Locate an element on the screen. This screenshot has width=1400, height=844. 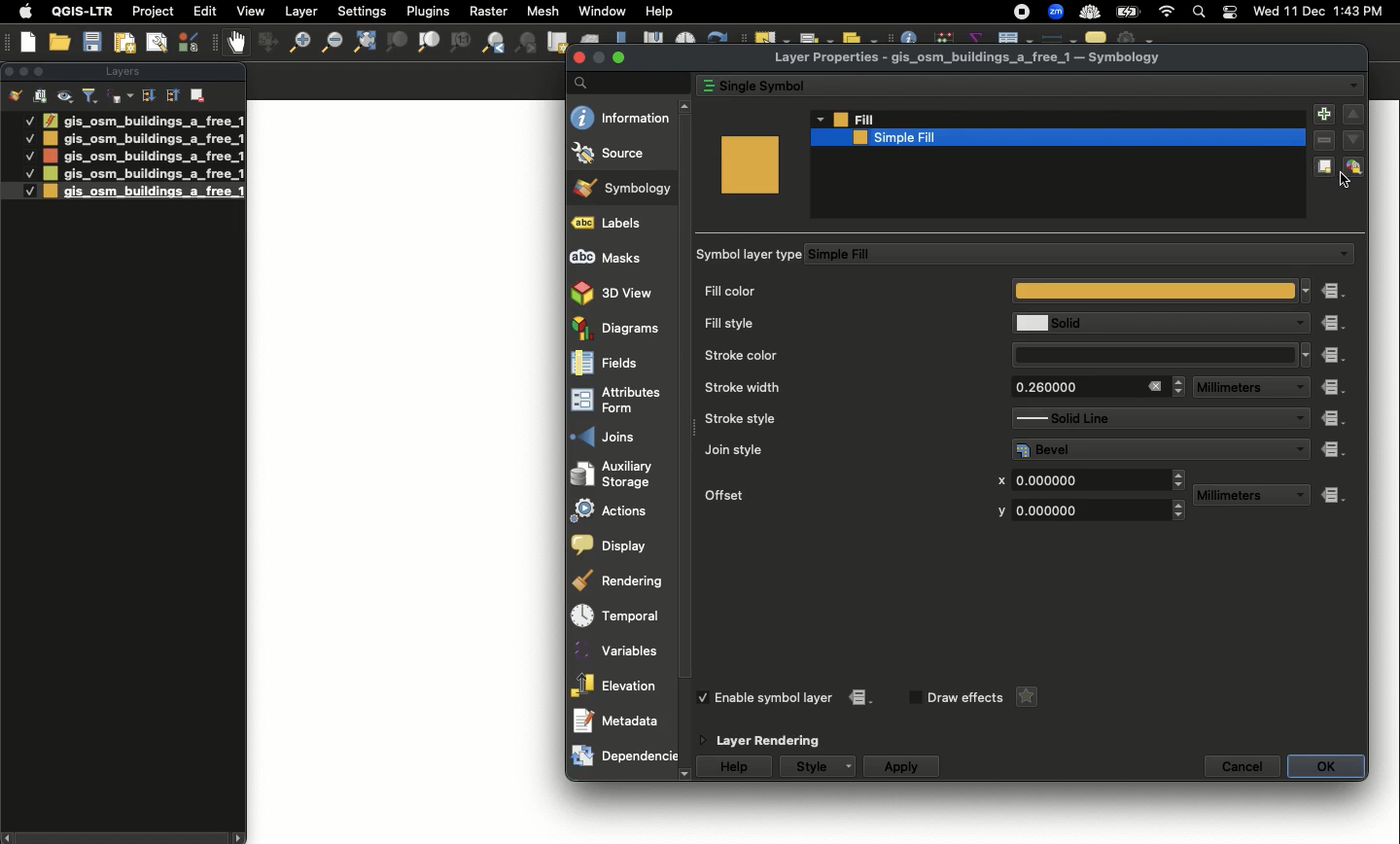
Zoom last is located at coordinates (493, 43).